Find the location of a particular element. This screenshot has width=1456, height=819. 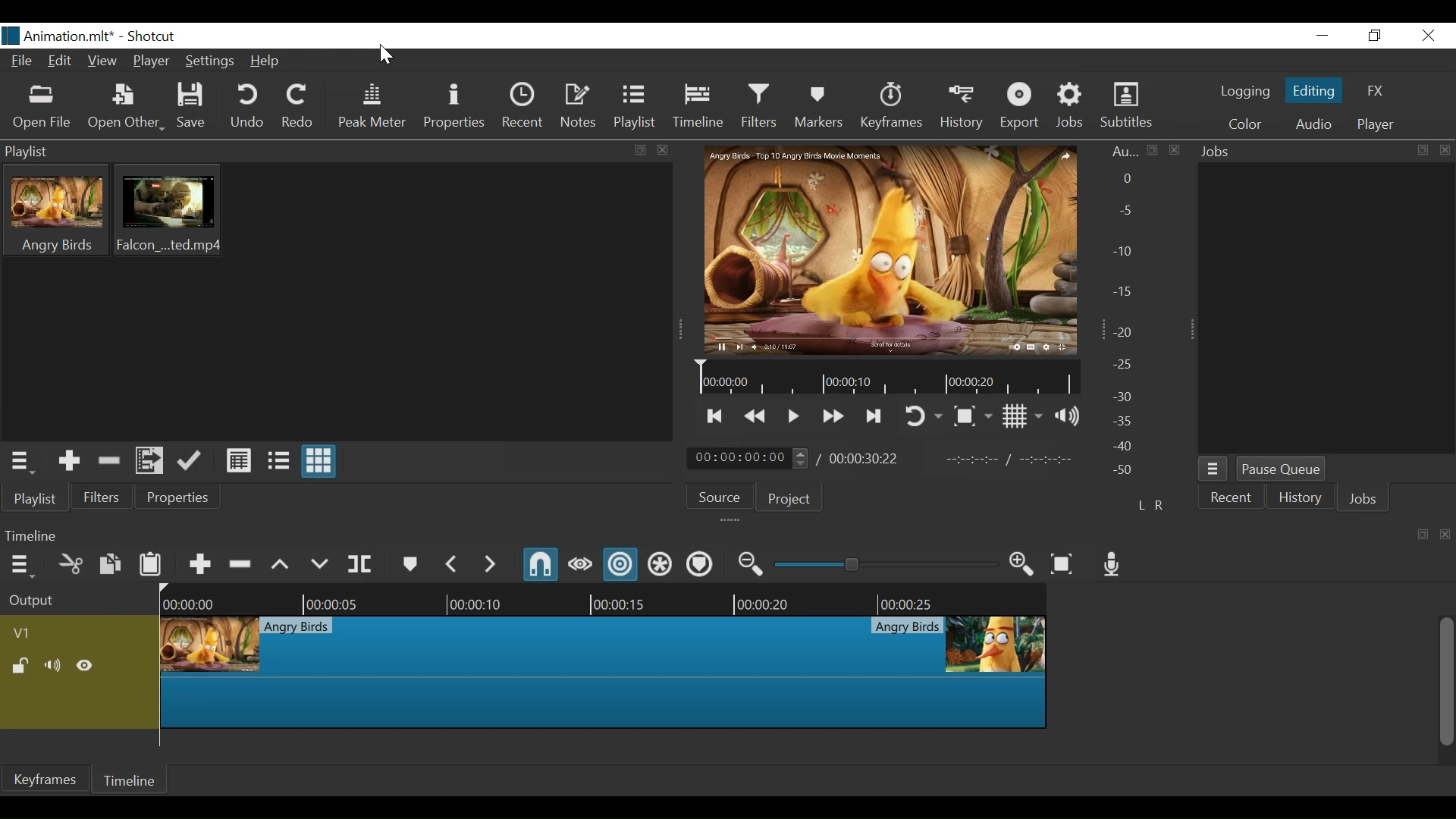

Close is located at coordinates (1429, 36).